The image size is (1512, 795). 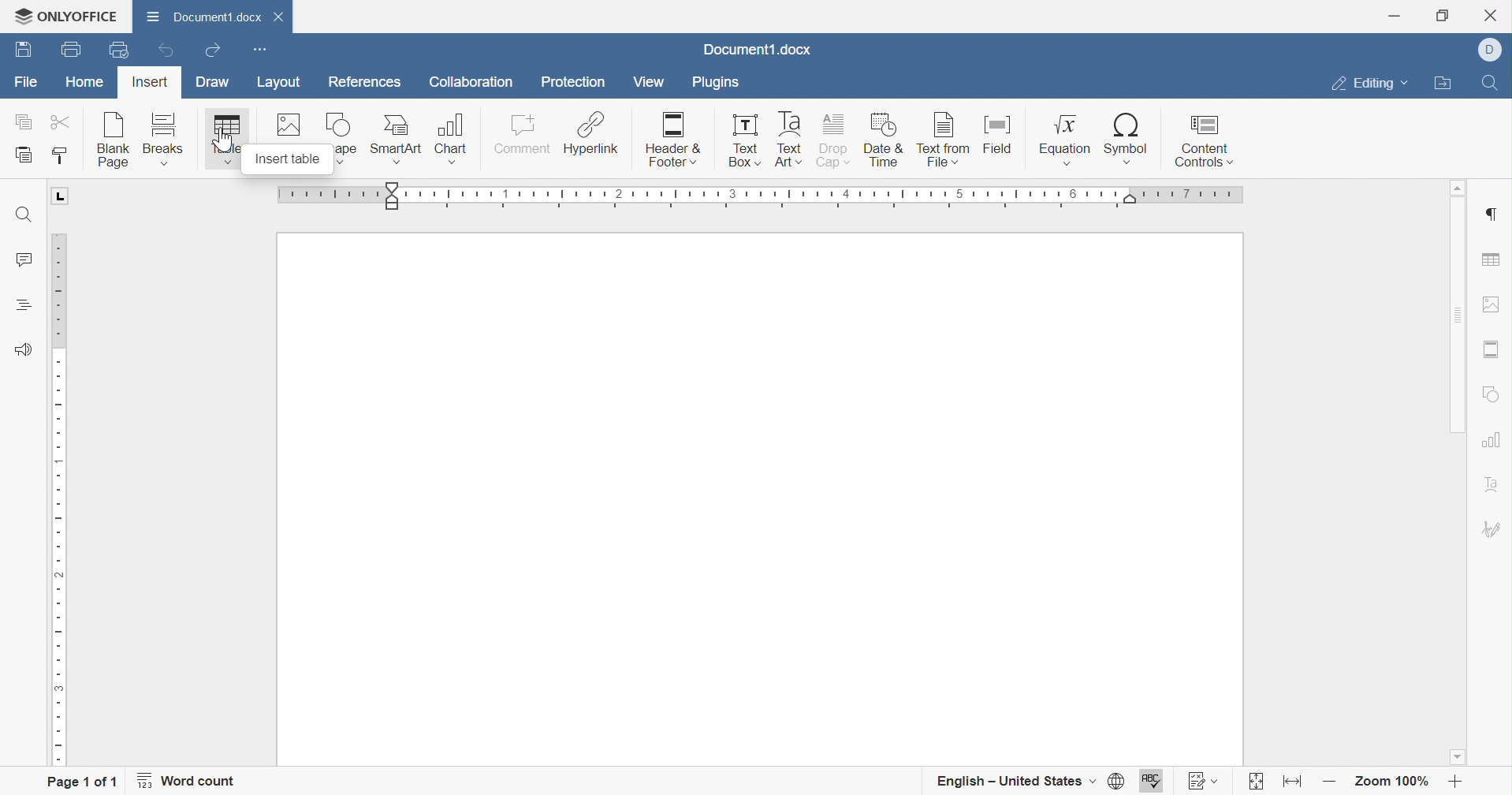 I want to click on Document1.docx, so click(x=207, y=17).